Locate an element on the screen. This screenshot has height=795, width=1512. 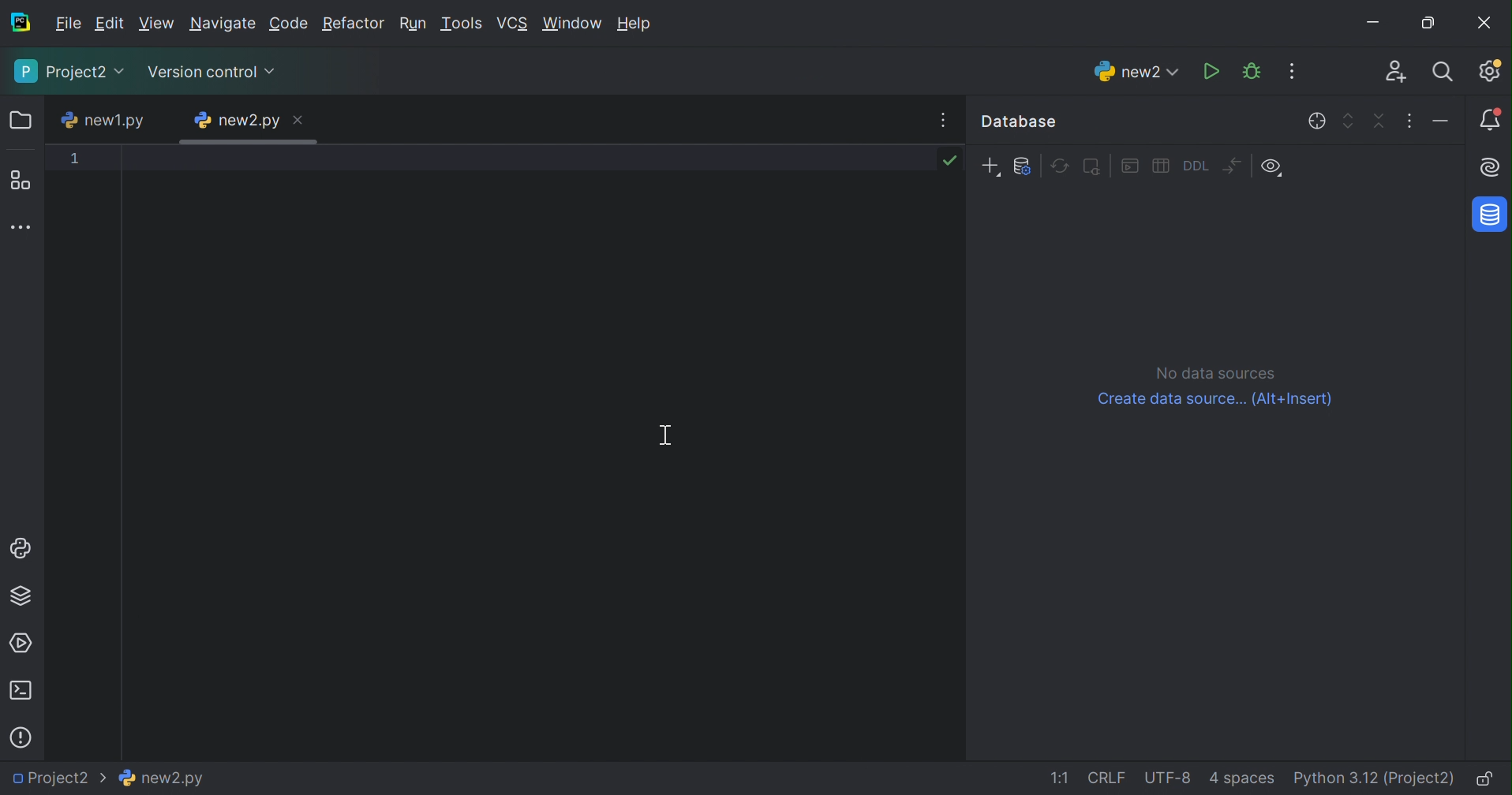
Create data source... (Alt+Insert) is located at coordinates (1216, 400).